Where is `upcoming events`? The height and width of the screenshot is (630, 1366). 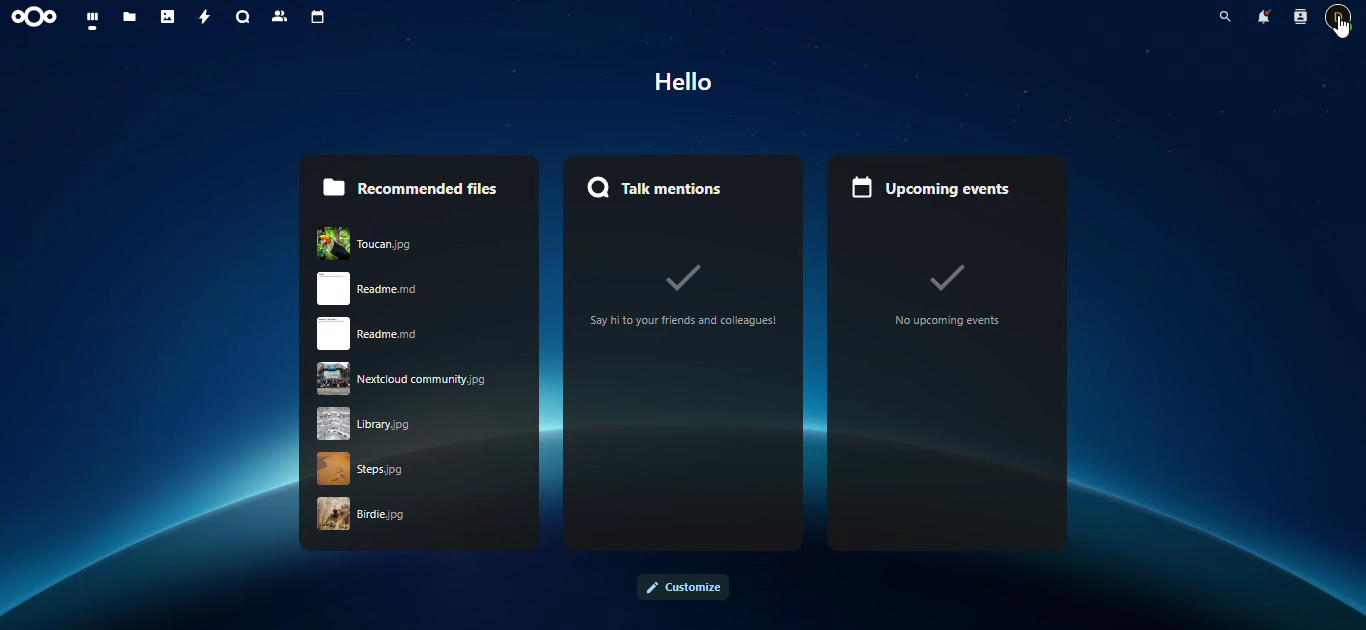
upcoming events is located at coordinates (937, 184).